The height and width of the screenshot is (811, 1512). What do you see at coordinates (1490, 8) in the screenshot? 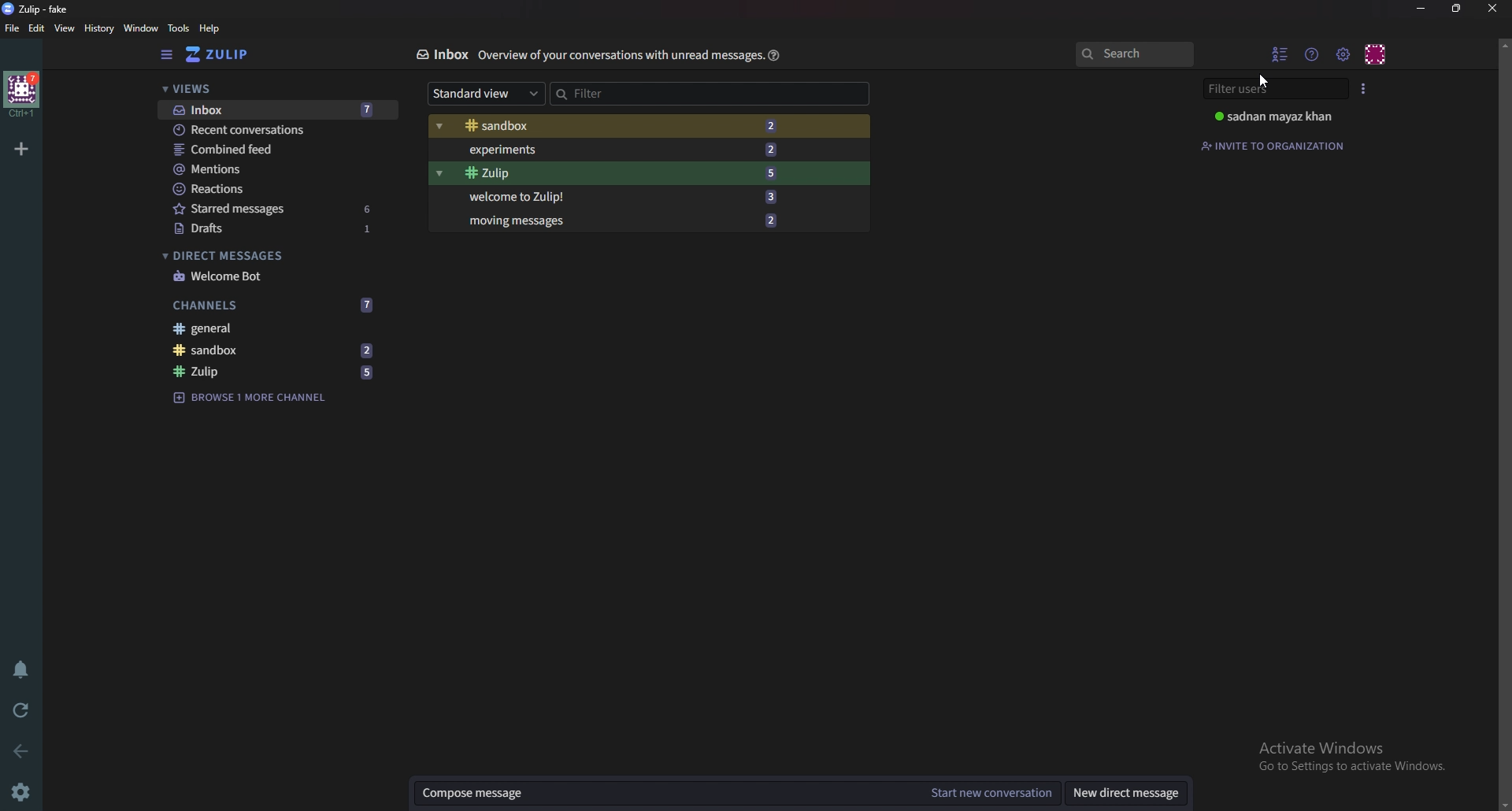
I see `close` at bounding box center [1490, 8].